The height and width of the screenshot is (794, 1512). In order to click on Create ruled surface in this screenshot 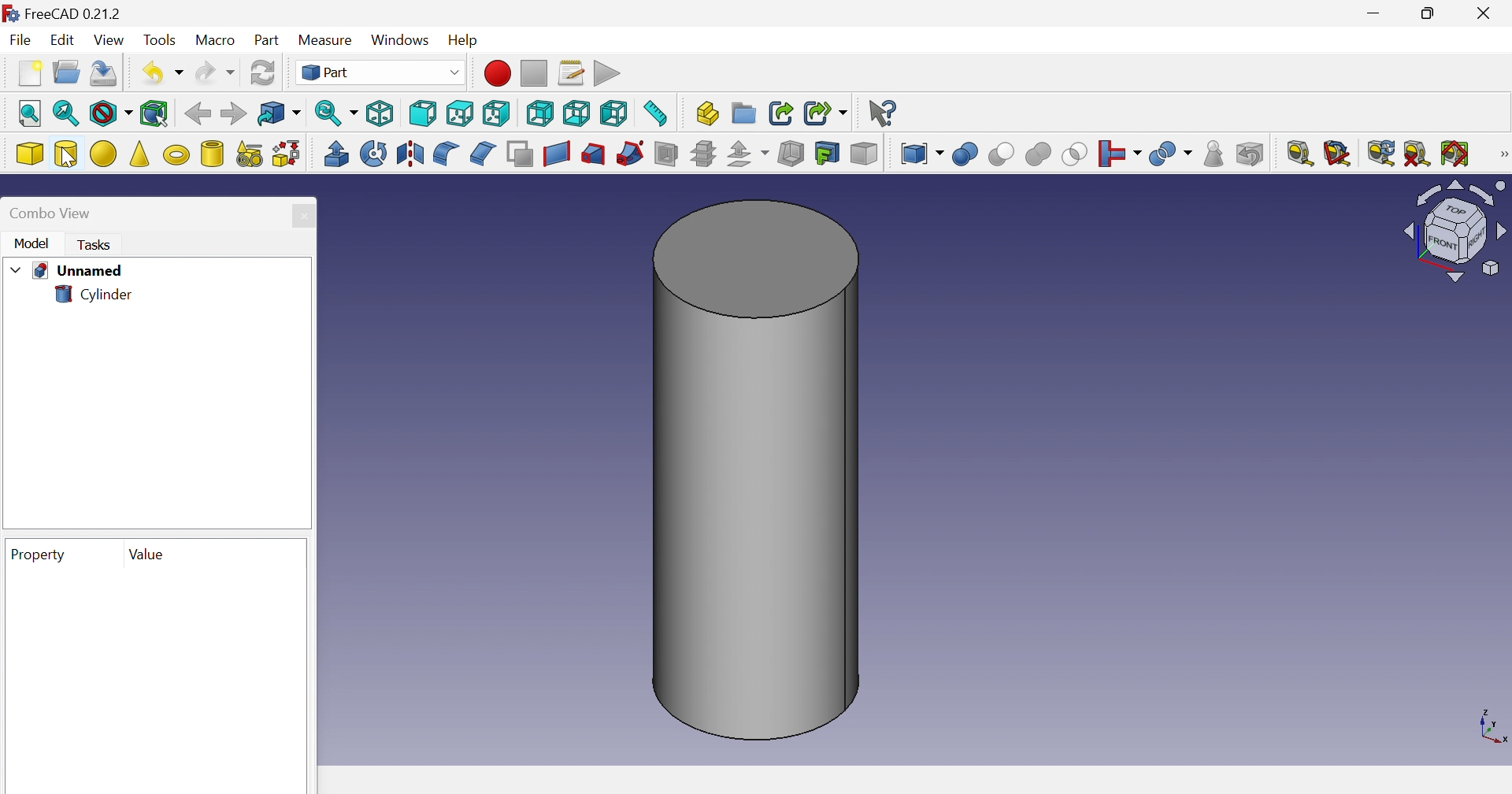, I will do `click(556, 154)`.